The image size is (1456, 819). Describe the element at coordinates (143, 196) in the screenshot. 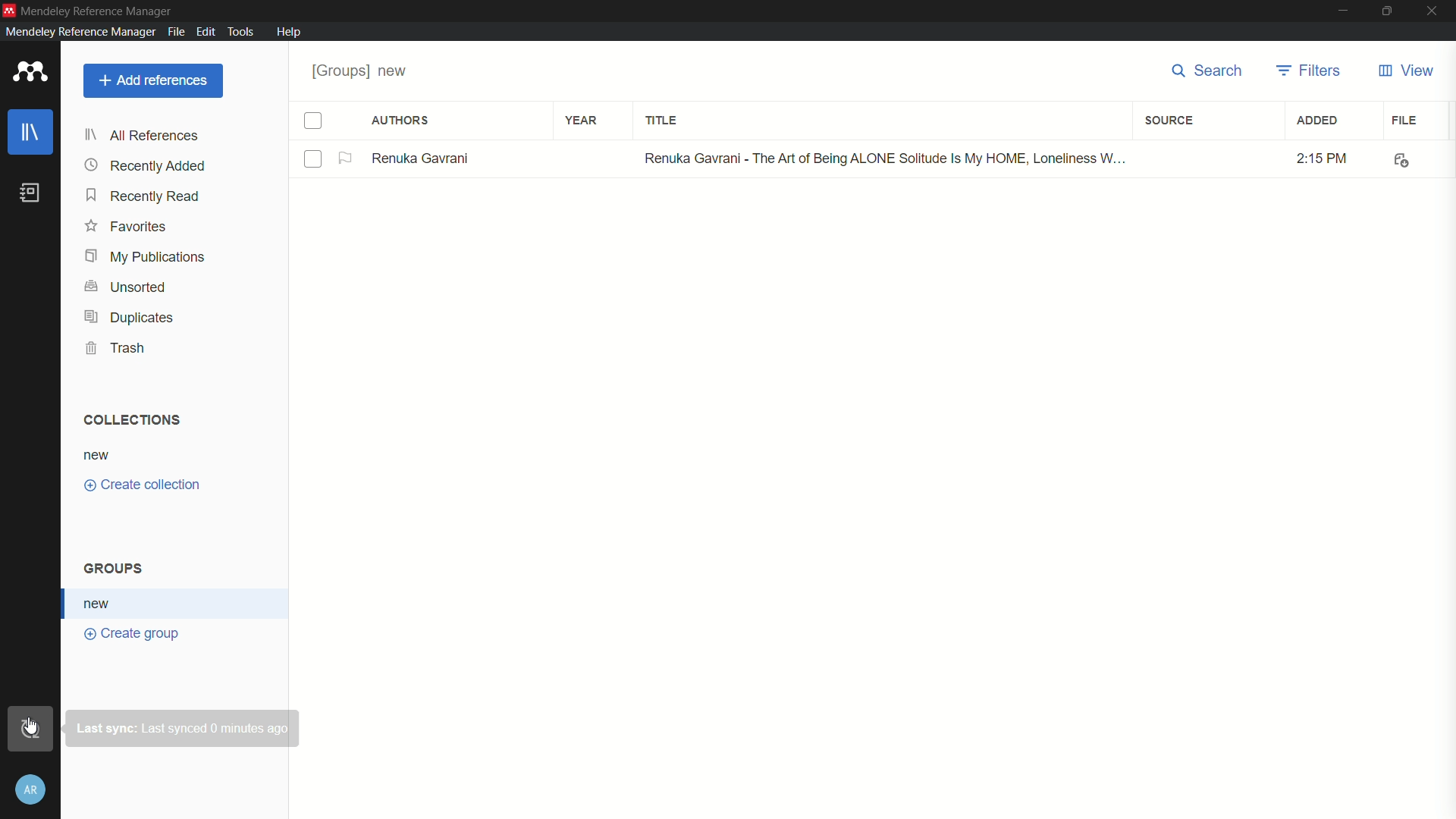

I see `recently read` at that location.